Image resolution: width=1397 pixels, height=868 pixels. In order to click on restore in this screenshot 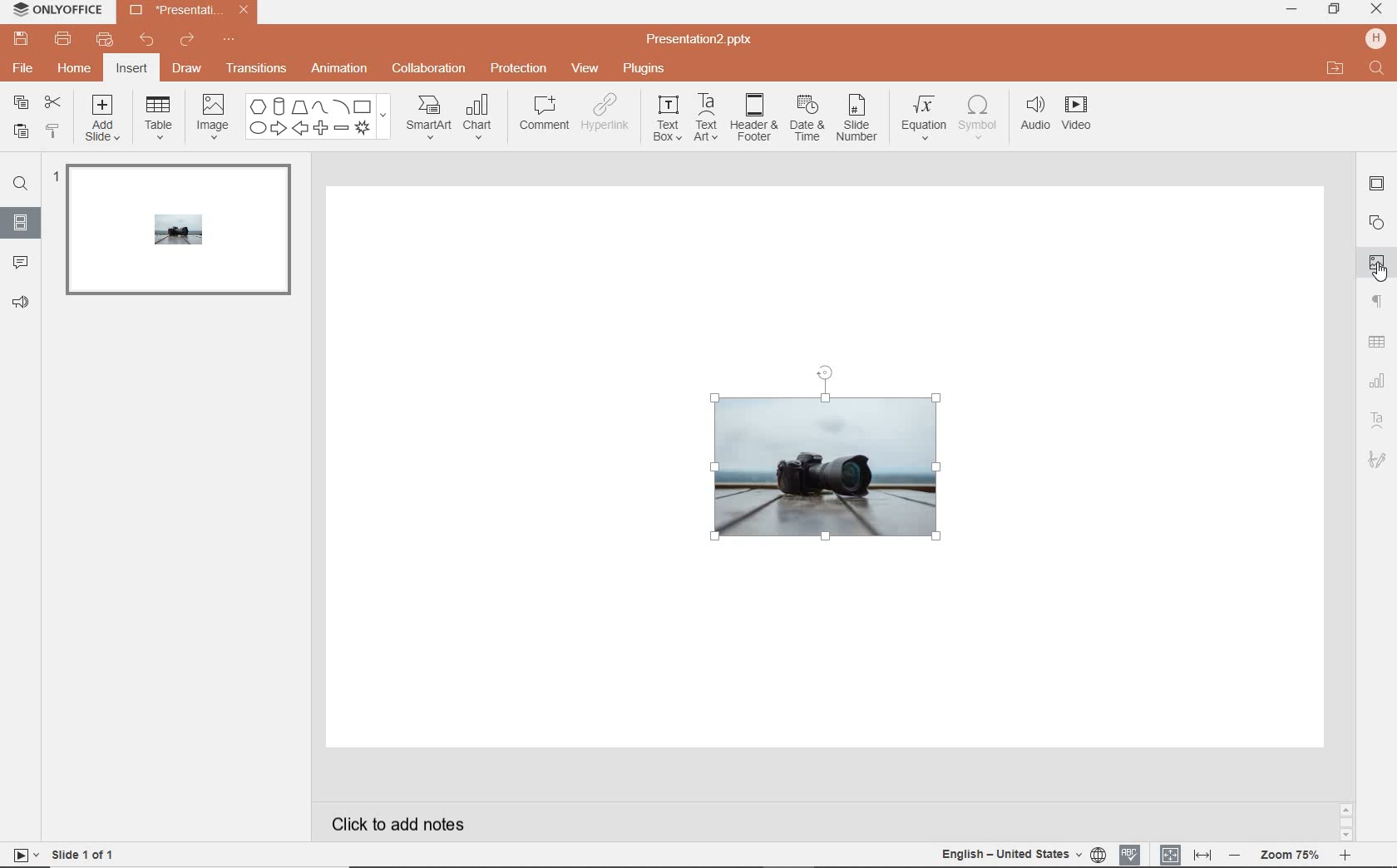, I will do `click(1335, 11)`.